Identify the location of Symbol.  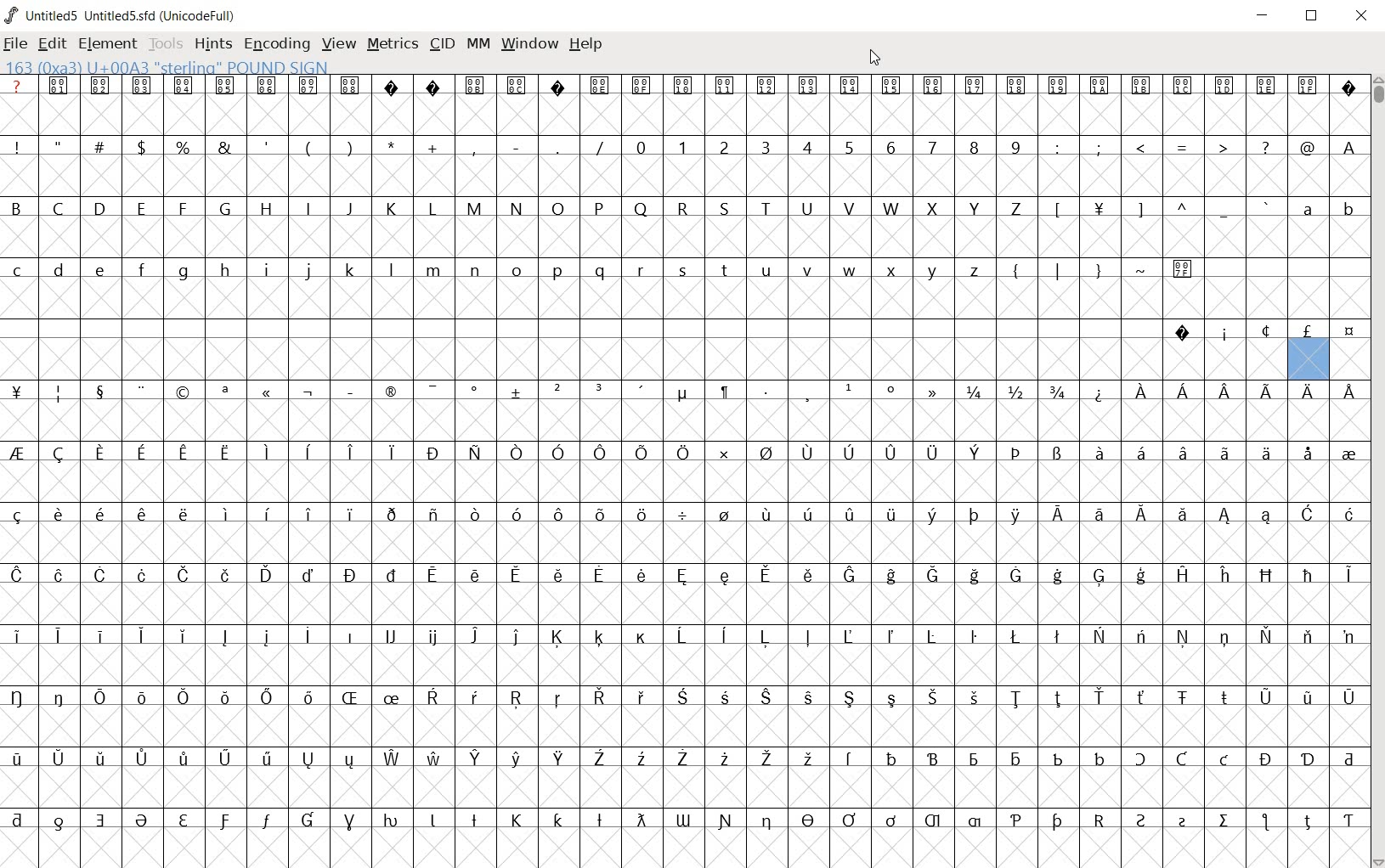
(308, 759).